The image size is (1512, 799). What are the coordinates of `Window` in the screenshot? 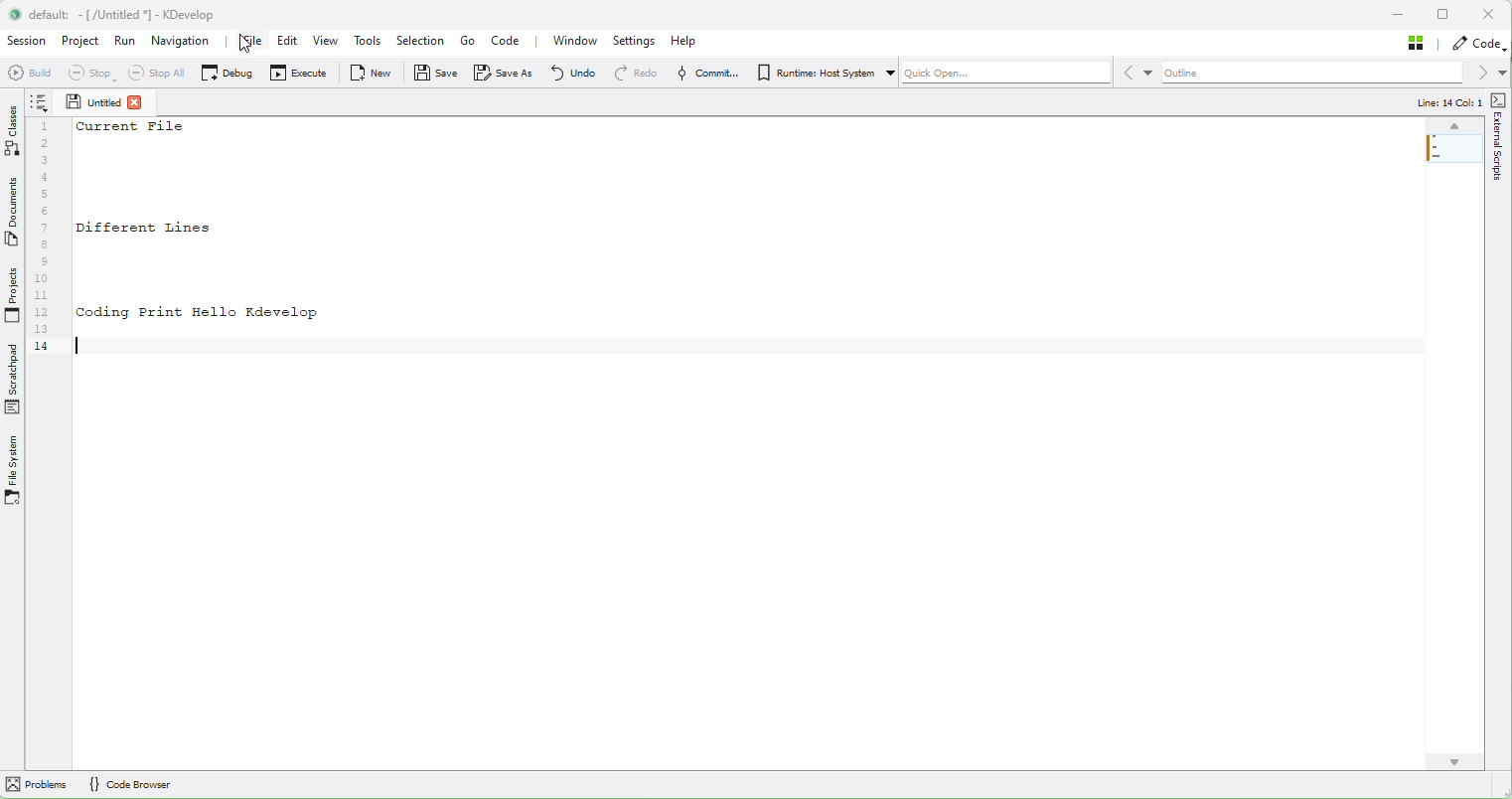 It's located at (574, 42).